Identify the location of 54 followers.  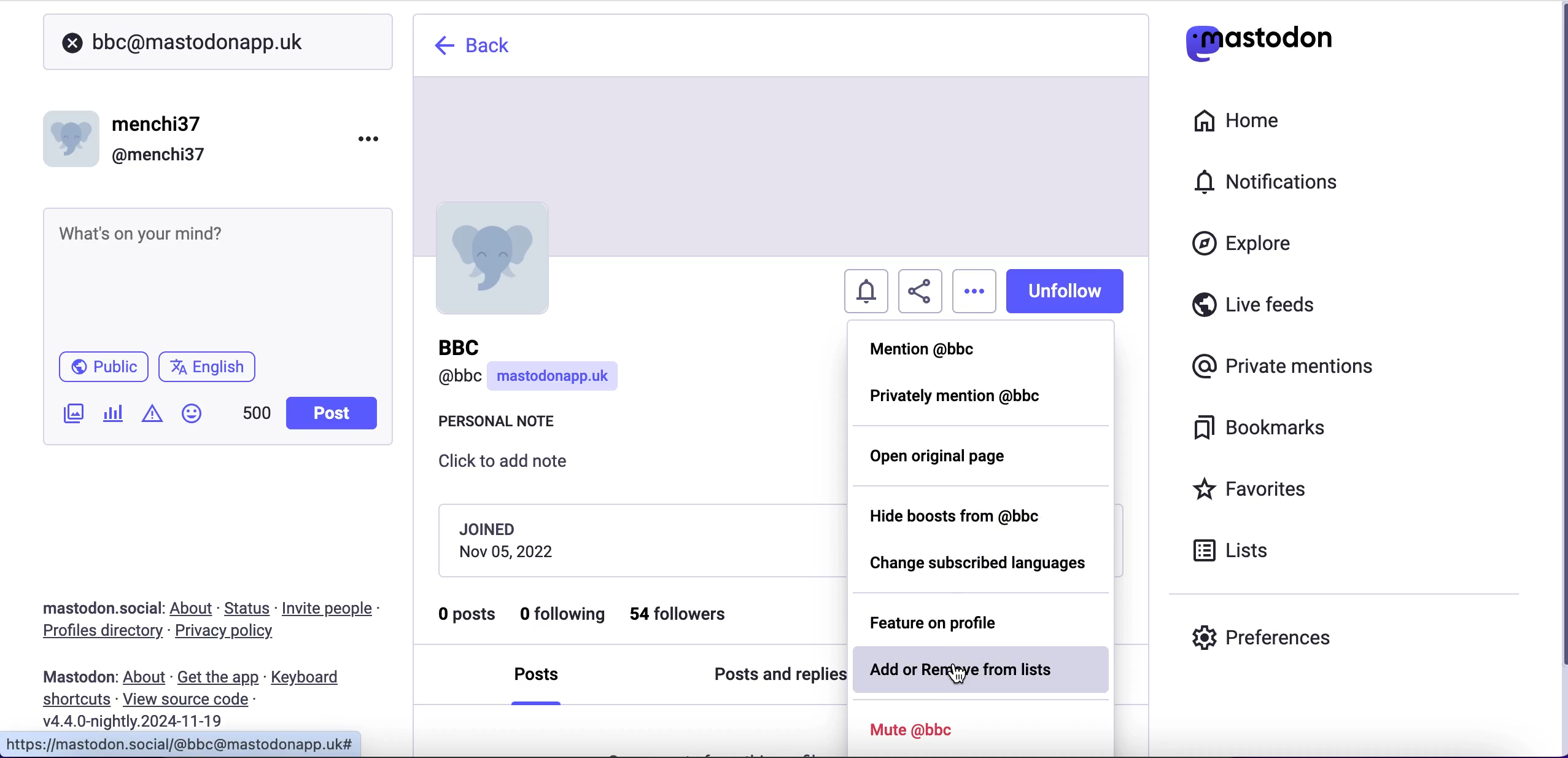
(689, 614).